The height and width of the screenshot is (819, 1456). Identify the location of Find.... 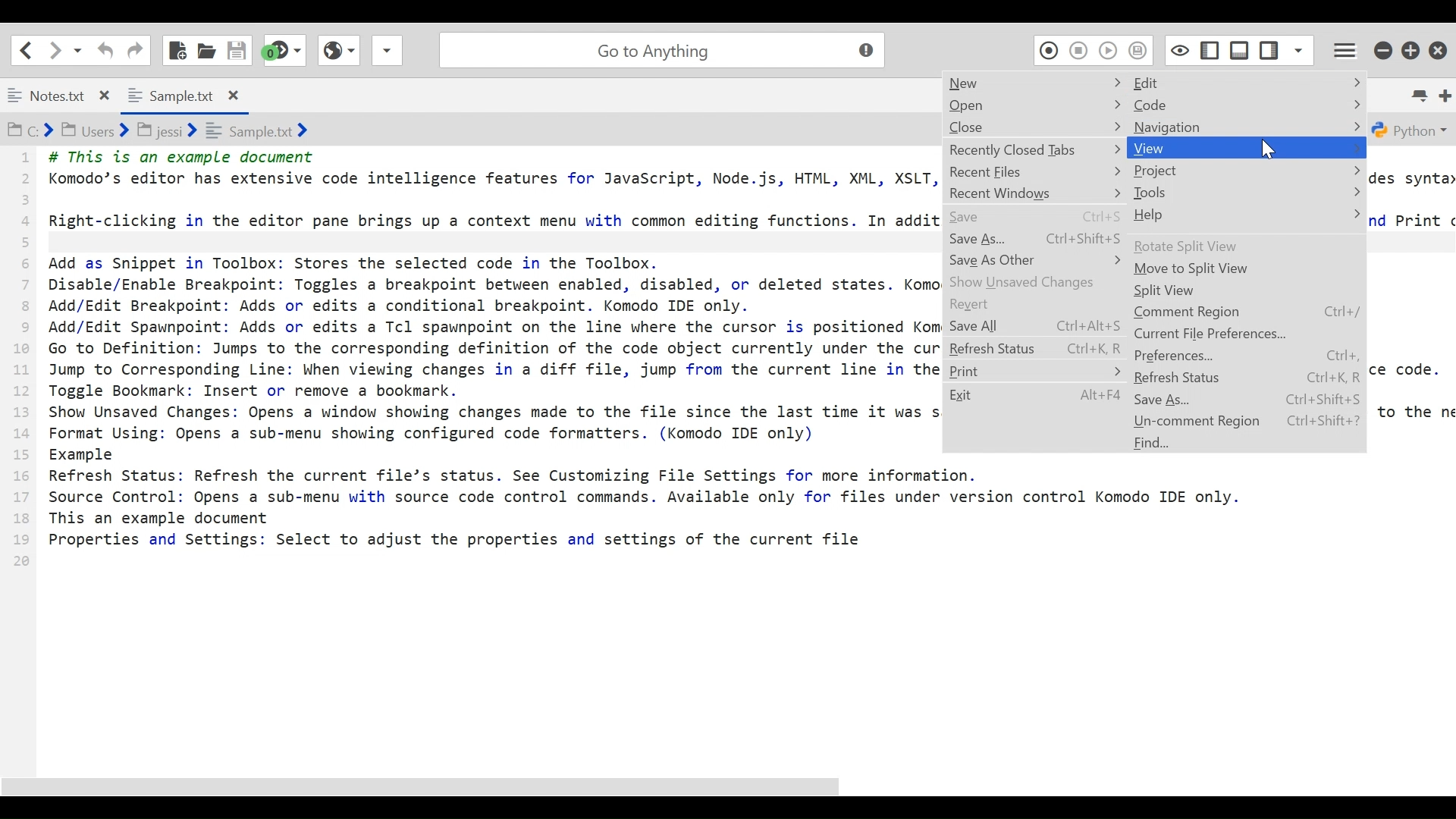
(1247, 444).